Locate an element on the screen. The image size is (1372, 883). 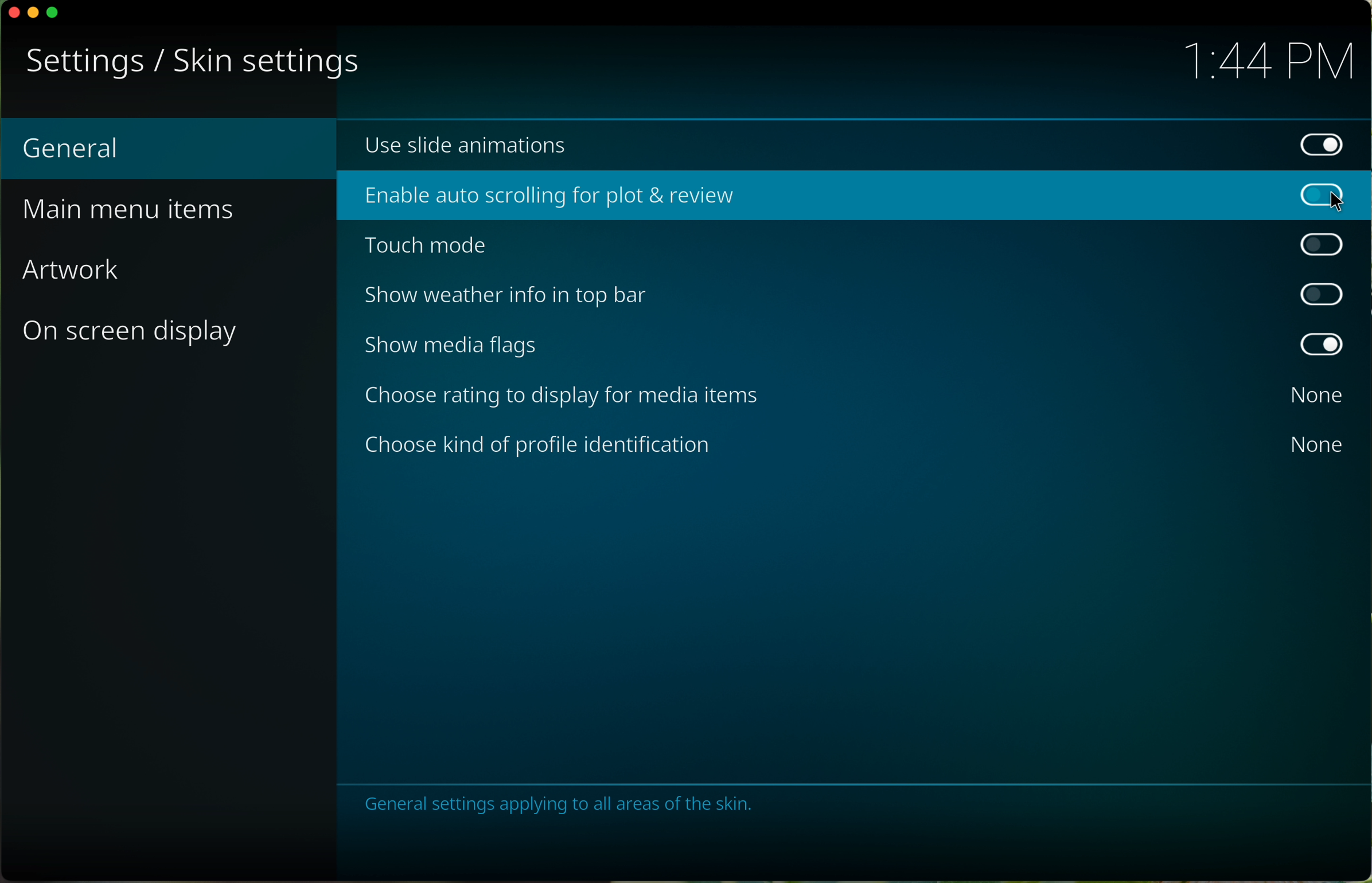
maximize is located at coordinates (57, 11).